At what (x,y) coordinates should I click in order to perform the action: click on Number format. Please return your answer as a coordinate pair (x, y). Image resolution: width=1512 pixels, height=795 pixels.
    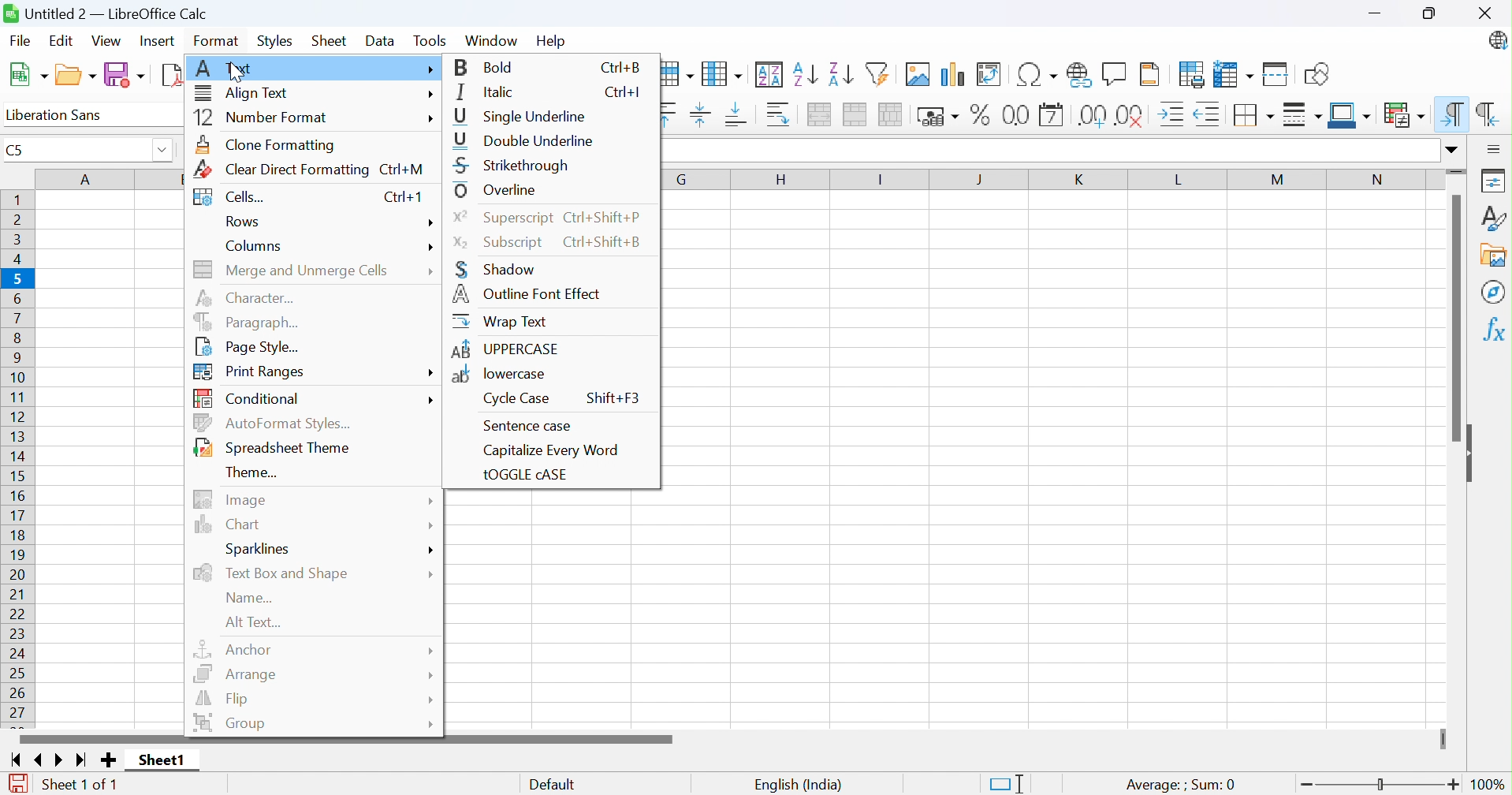
    Looking at the image, I should click on (262, 114).